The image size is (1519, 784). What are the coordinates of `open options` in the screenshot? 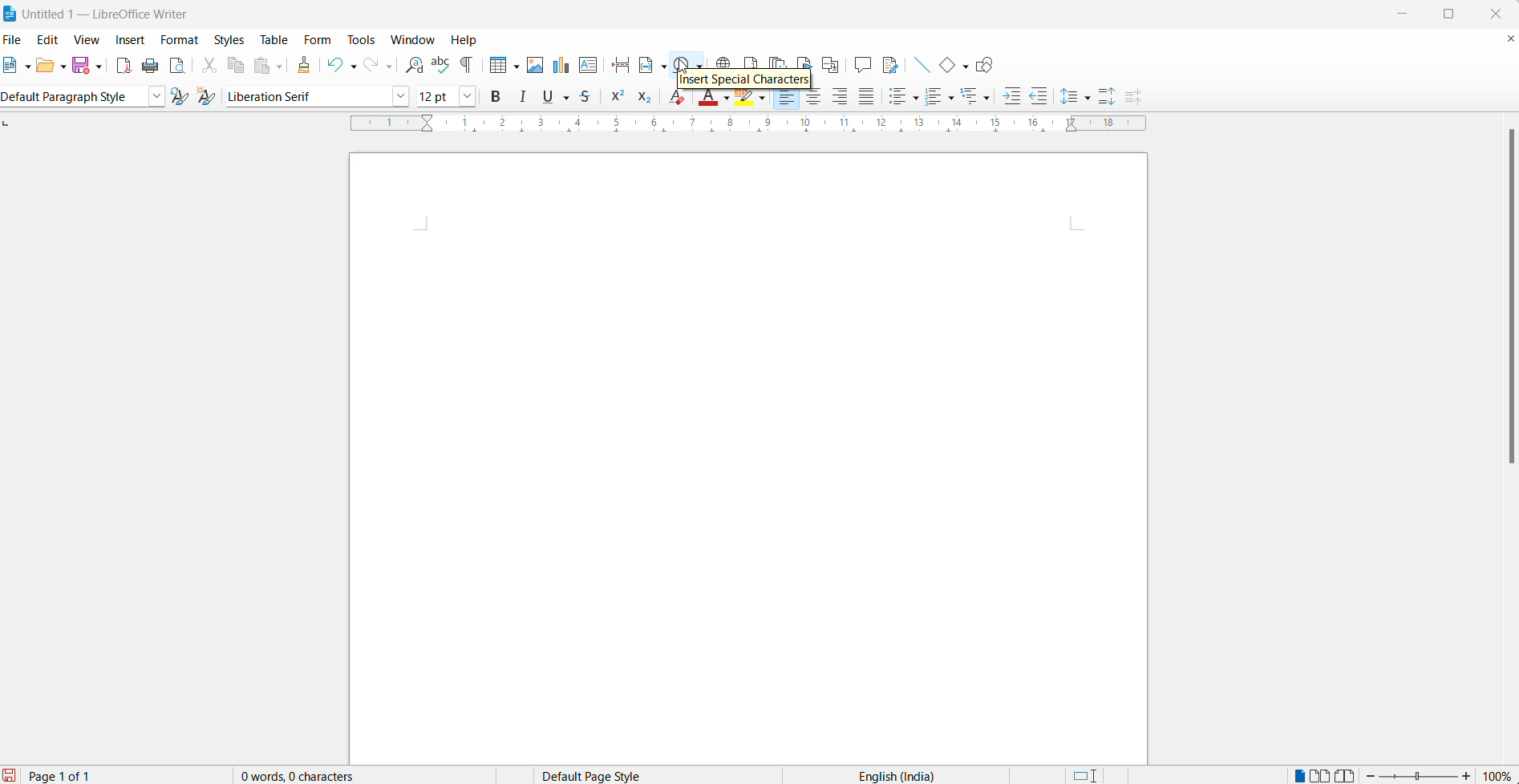 It's located at (65, 67).